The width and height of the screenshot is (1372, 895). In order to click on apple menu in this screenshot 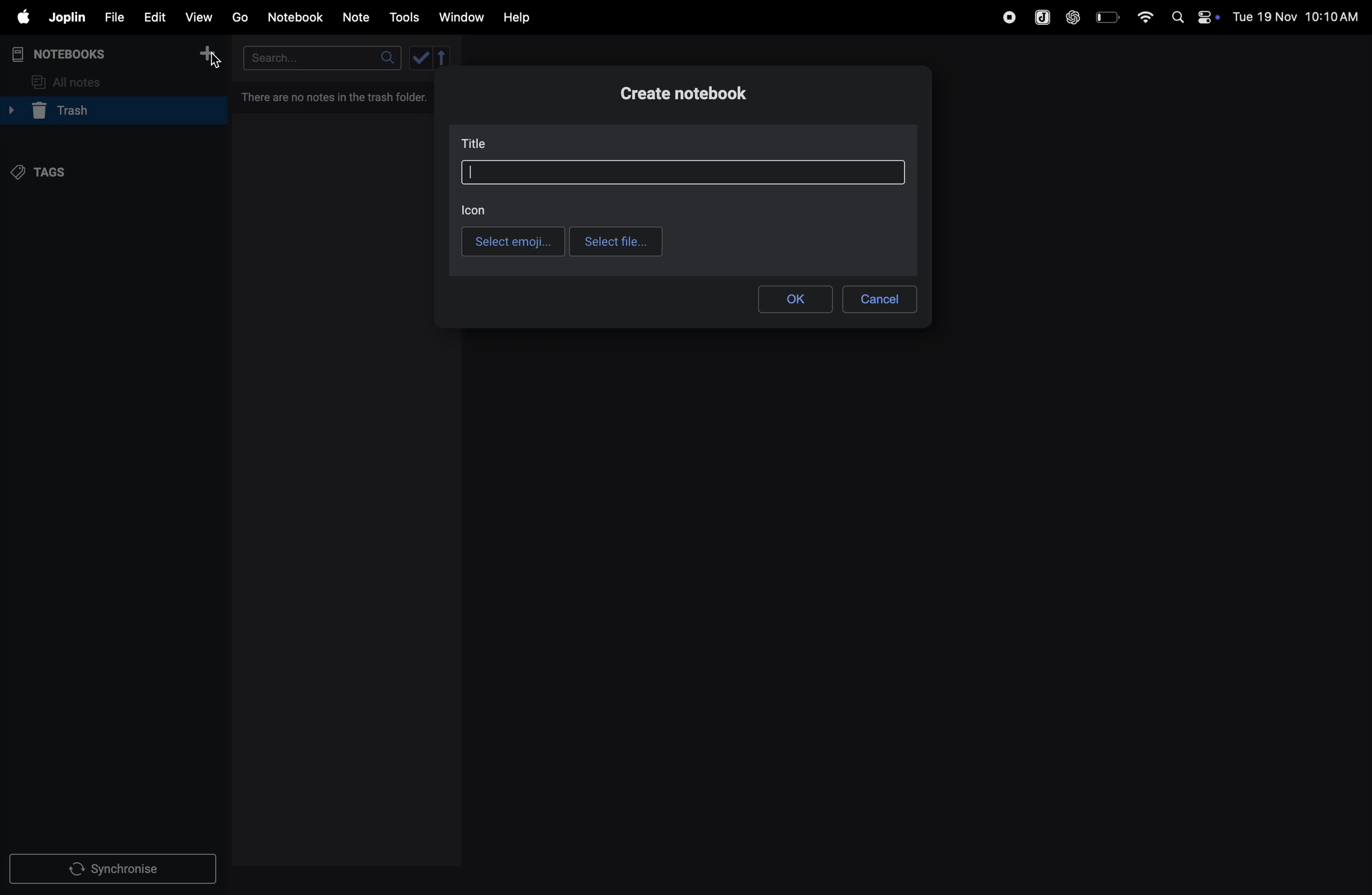, I will do `click(22, 18)`.